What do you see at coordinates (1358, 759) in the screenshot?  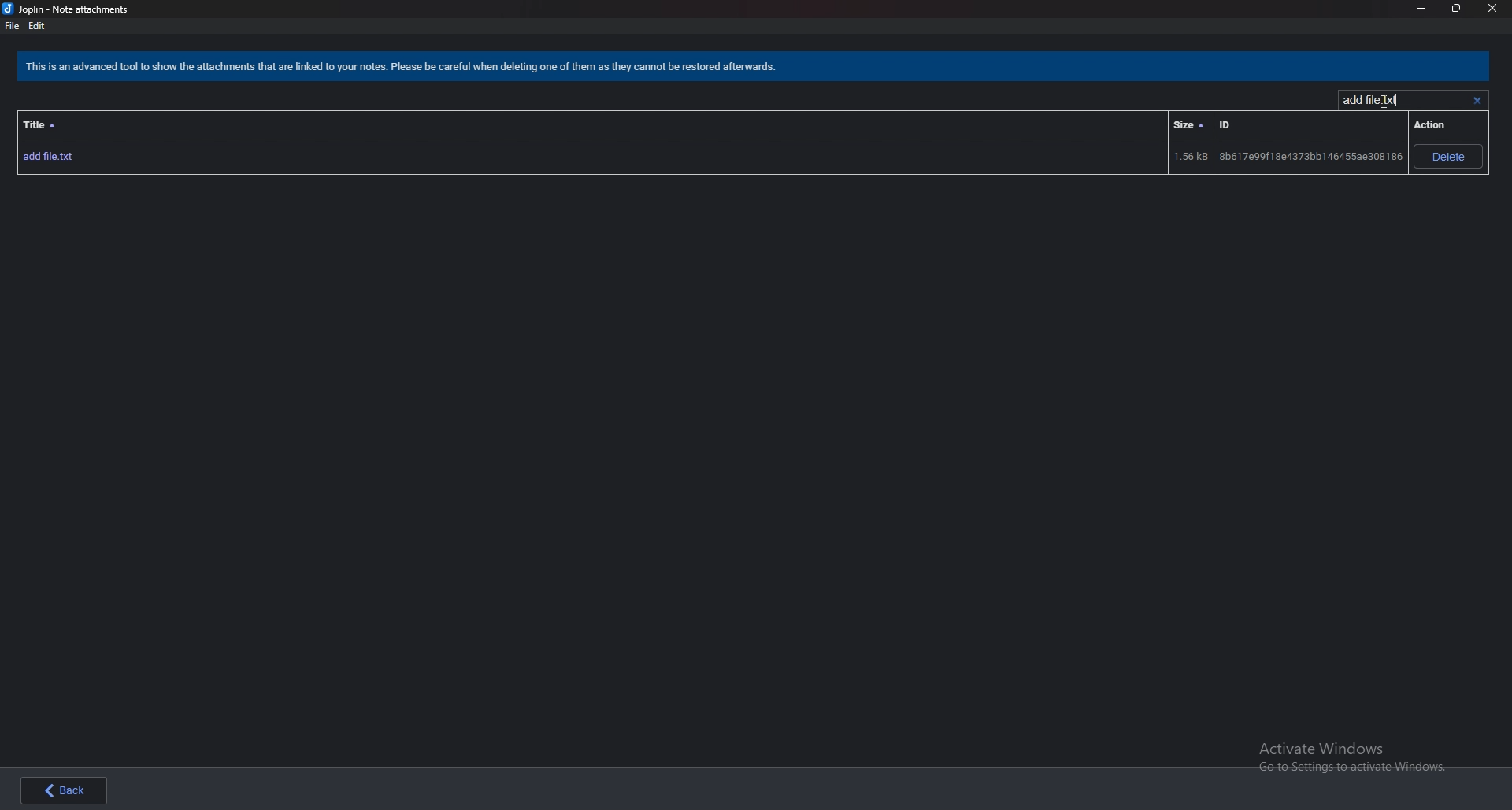 I see `Activate windows pop up` at bounding box center [1358, 759].